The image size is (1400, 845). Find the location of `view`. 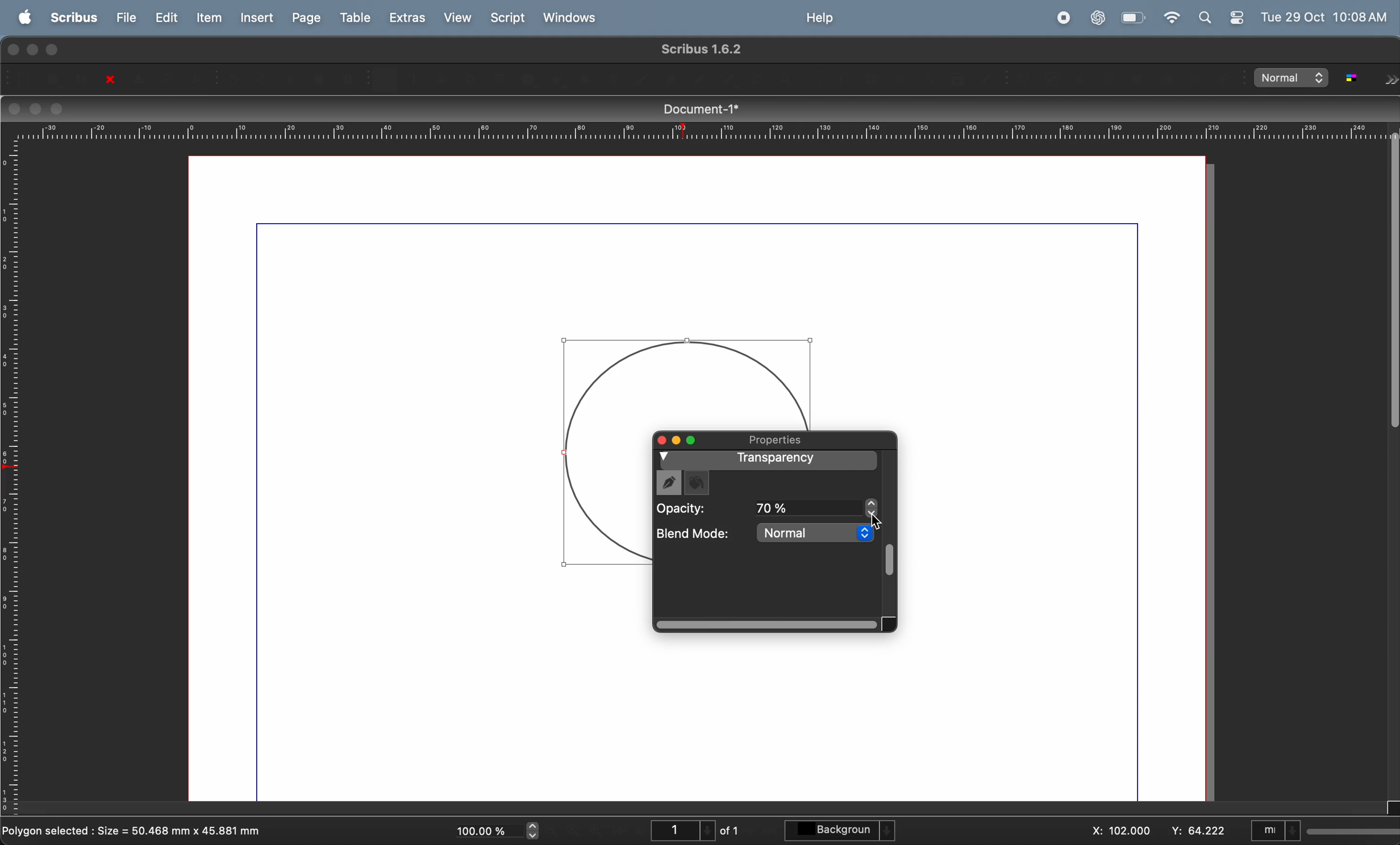

view is located at coordinates (458, 18).